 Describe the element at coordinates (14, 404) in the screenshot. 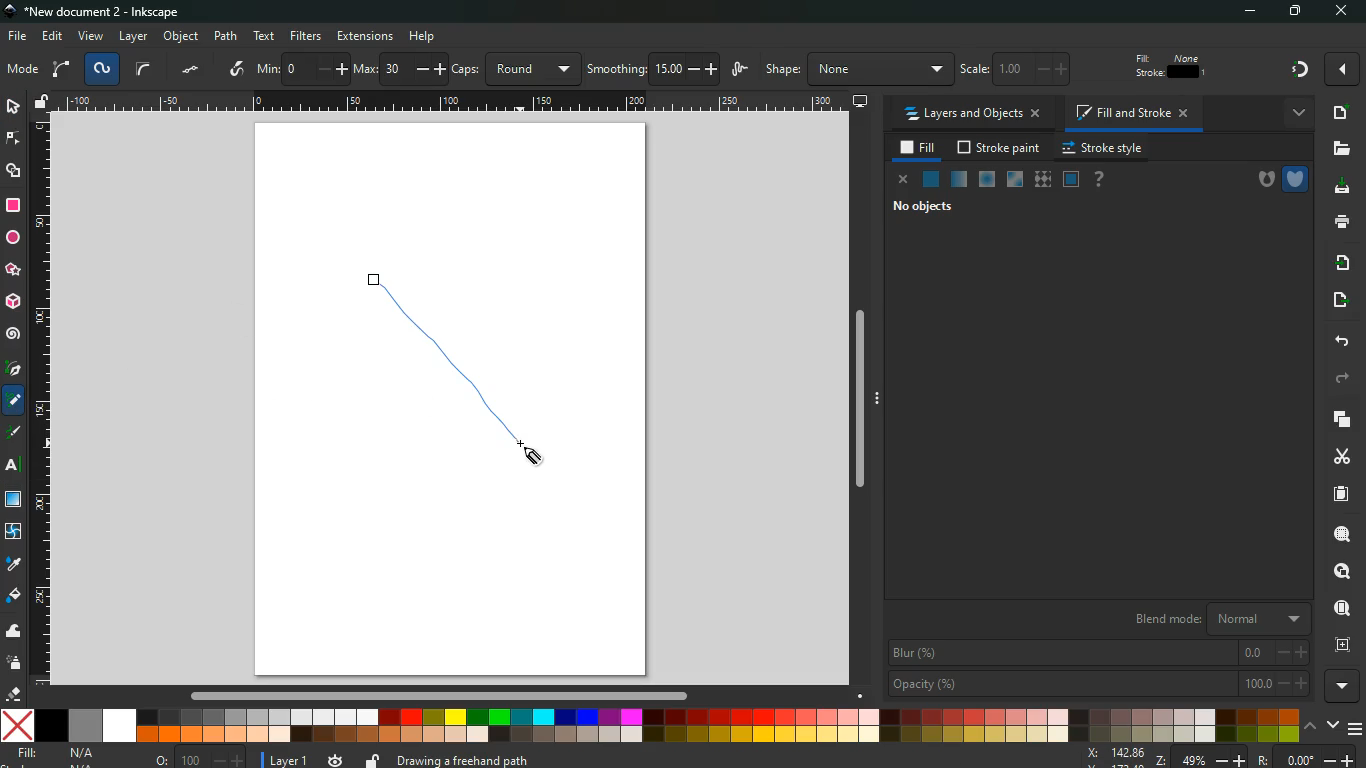

I see `pencil tool` at that location.